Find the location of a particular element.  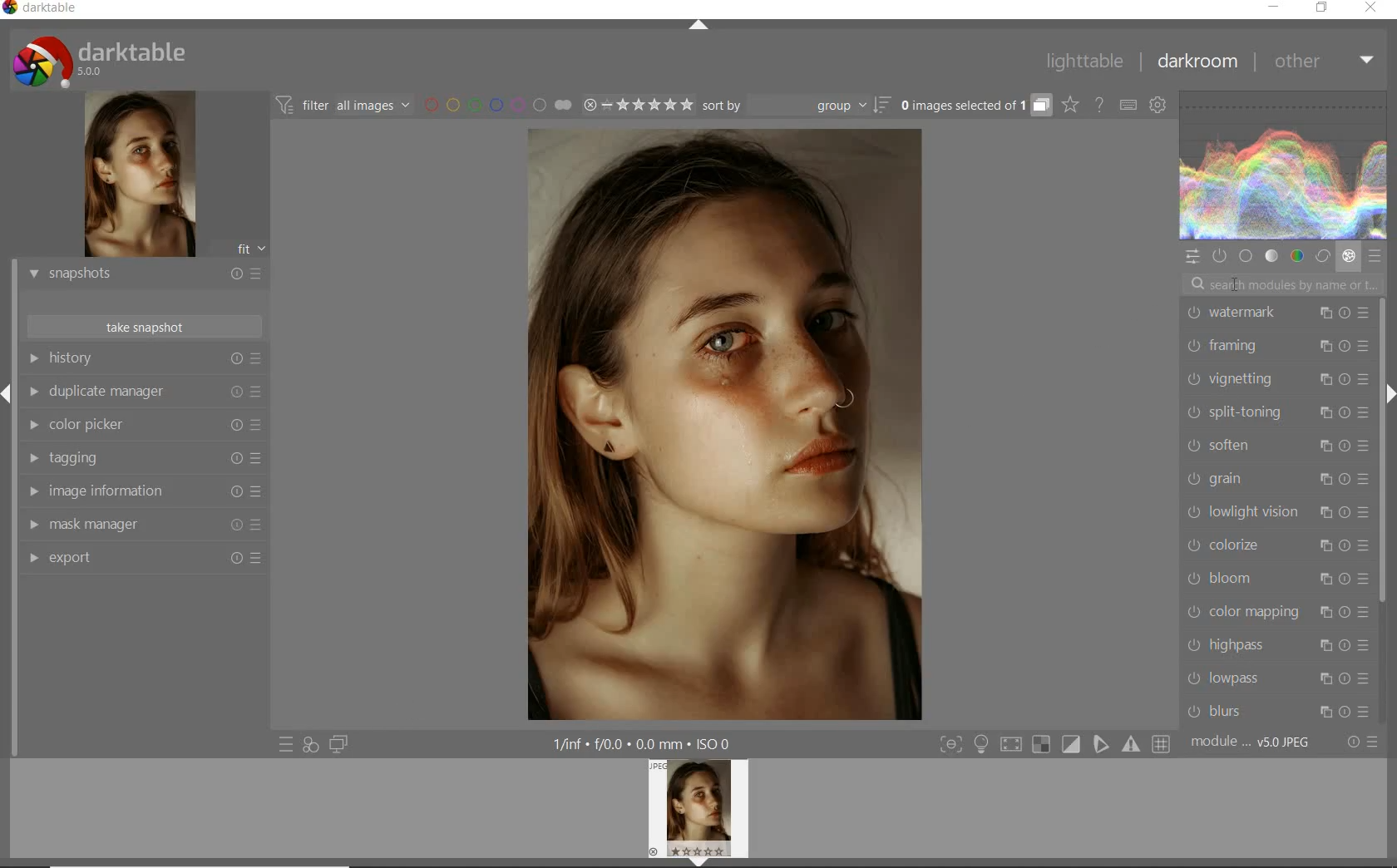

take snapshots is located at coordinates (146, 327).